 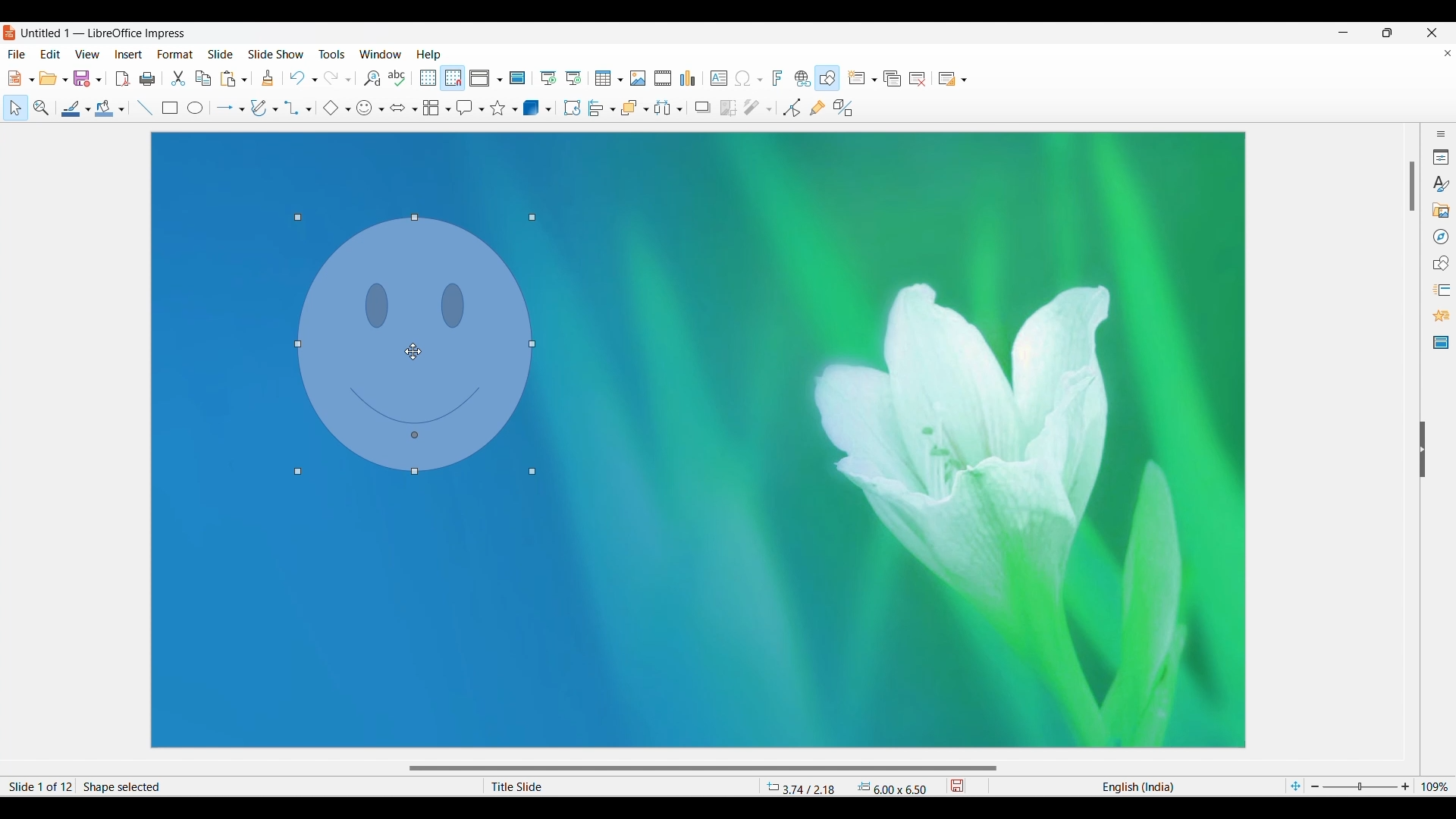 I want to click on Duplicate slide, so click(x=893, y=79).